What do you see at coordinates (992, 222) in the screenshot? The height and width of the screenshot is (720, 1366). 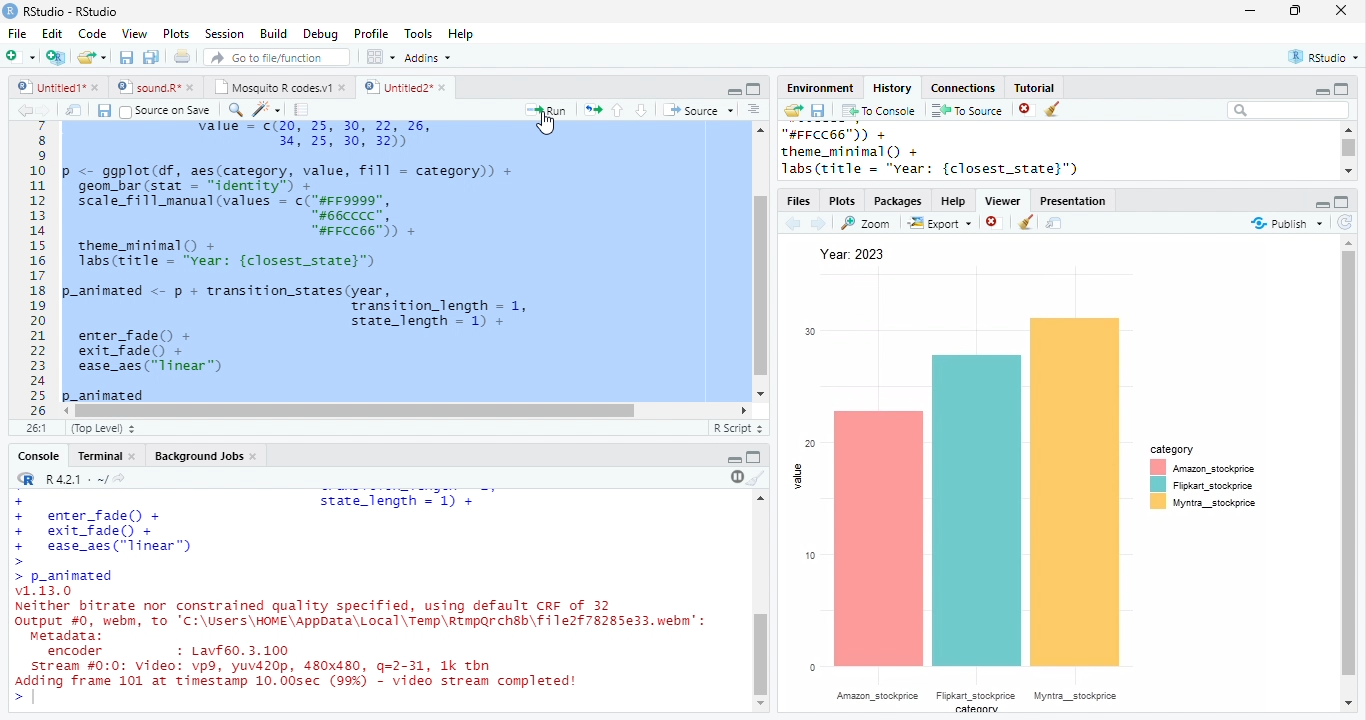 I see `close file` at bounding box center [992, 222].